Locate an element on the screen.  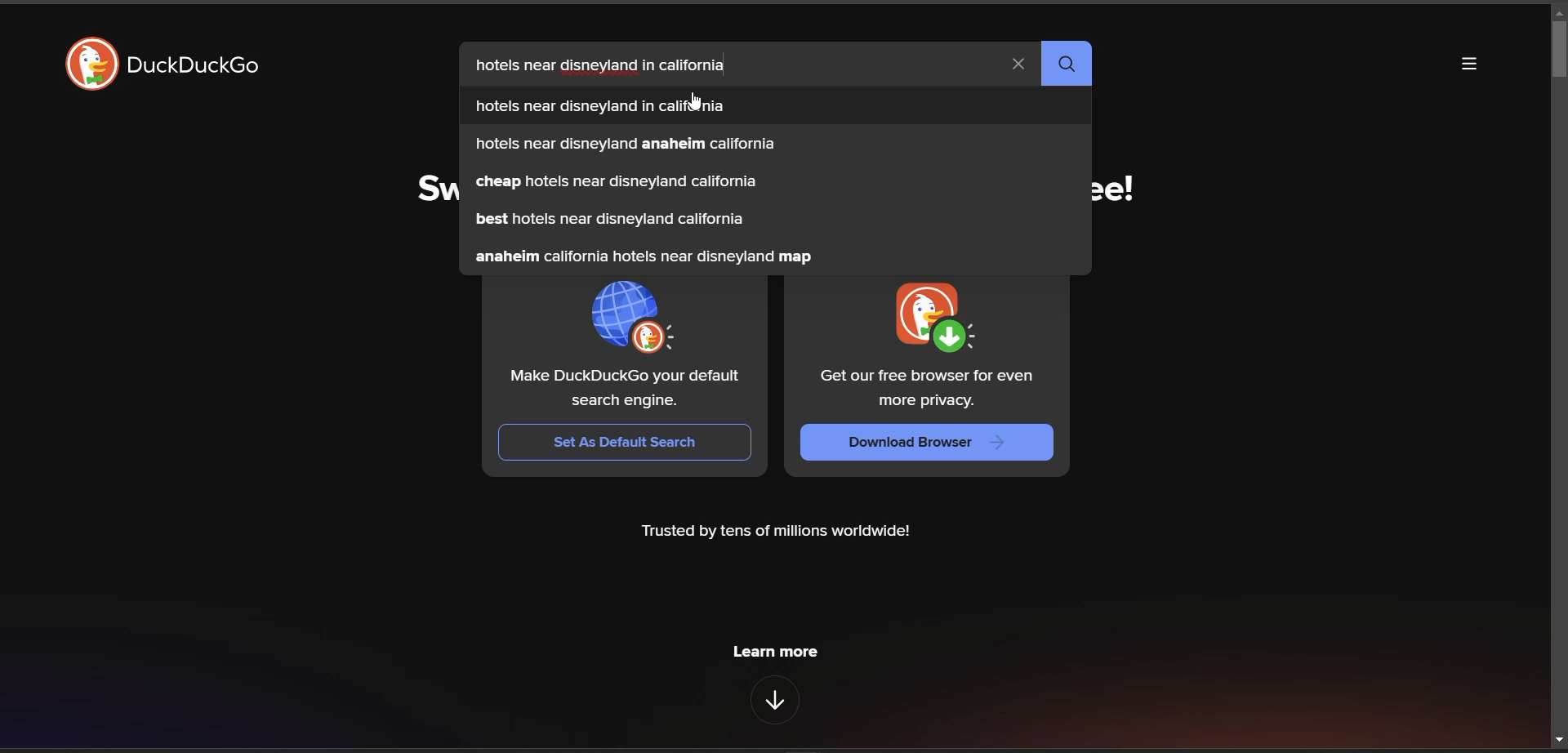
search term is located at coordinates (612, 67).